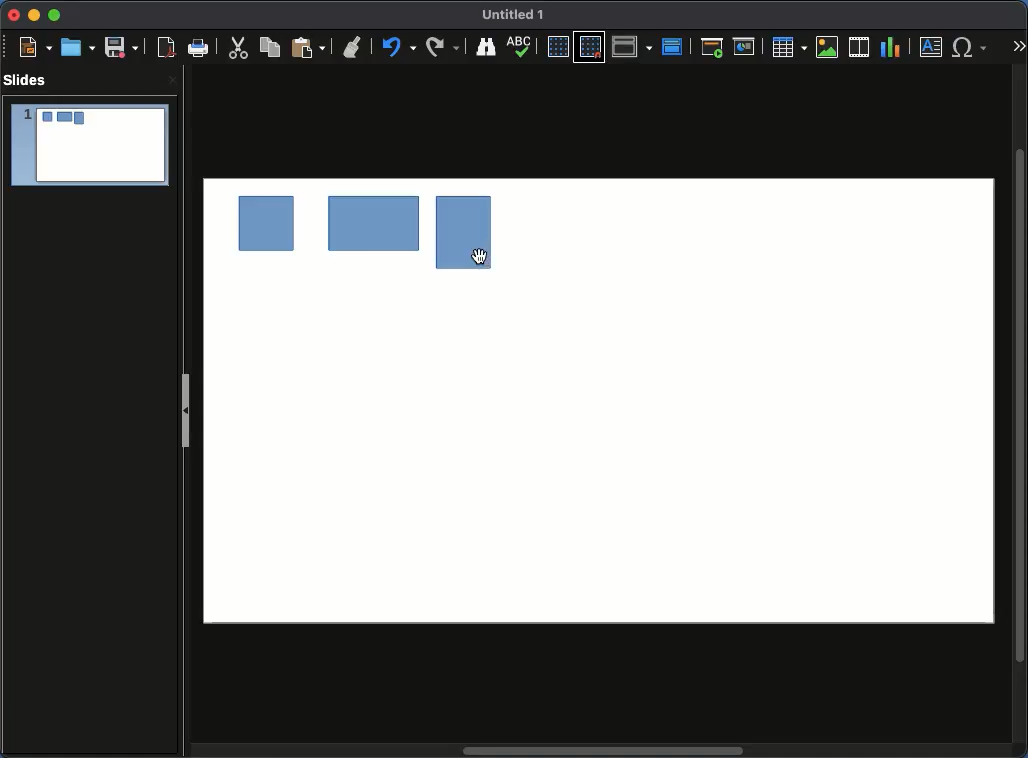  Describe the element at coordinates (89, 145) in the screenshot. I see `Slide` at that location.